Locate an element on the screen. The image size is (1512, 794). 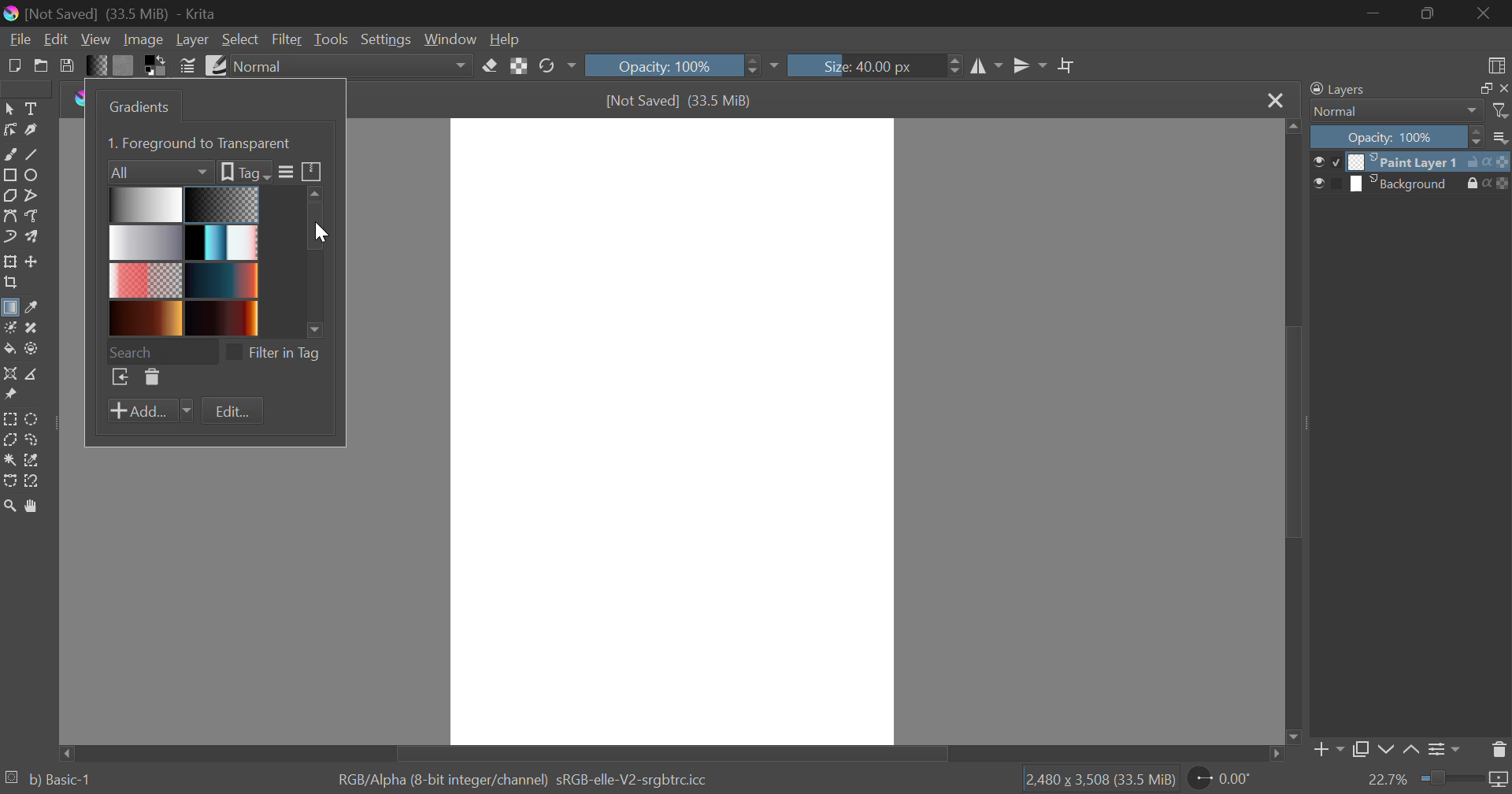
Edit Shapes is located at coordinates (9, 130).